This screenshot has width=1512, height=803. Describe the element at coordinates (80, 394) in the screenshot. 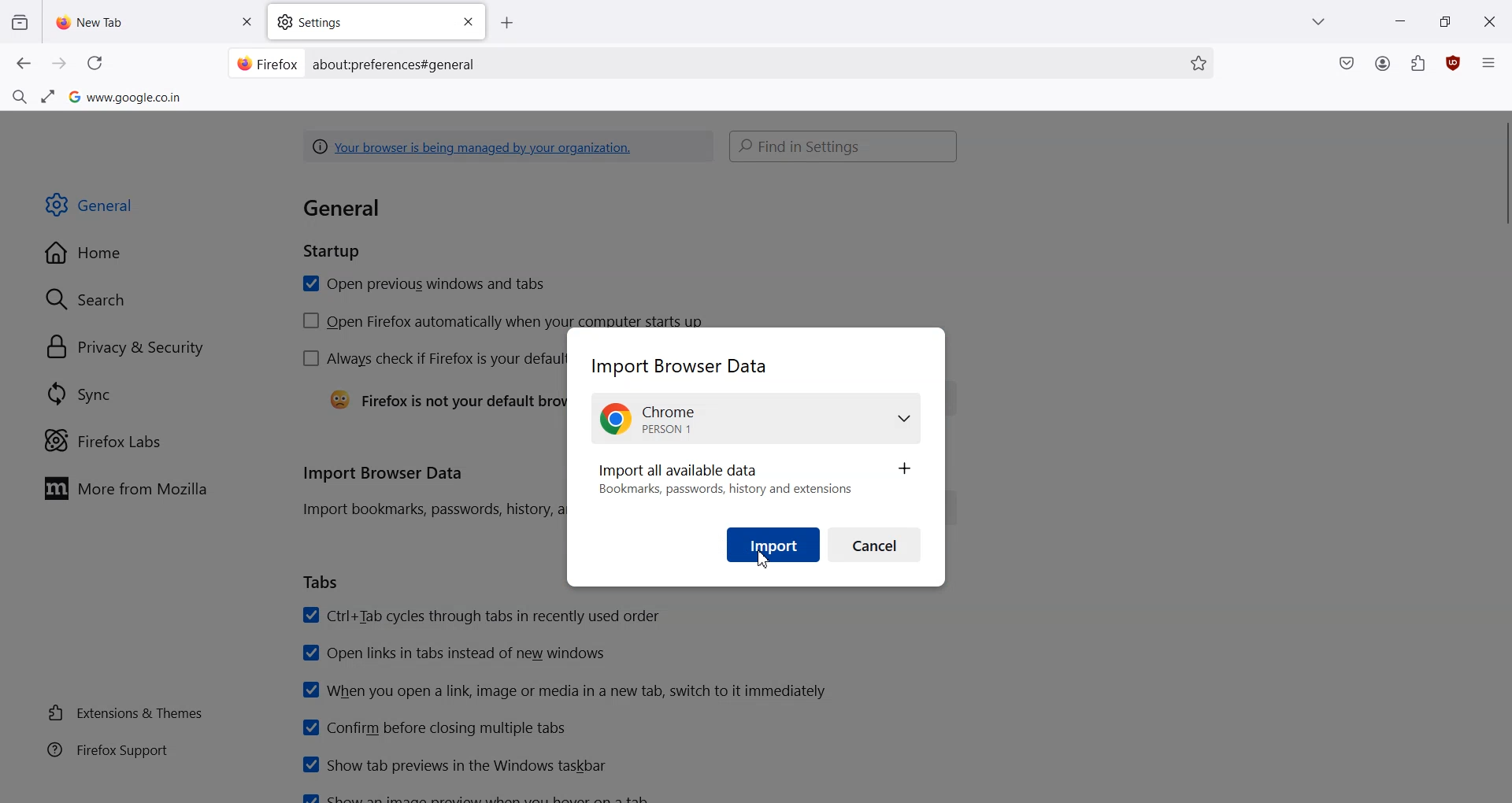

I see `Sync` at that location.